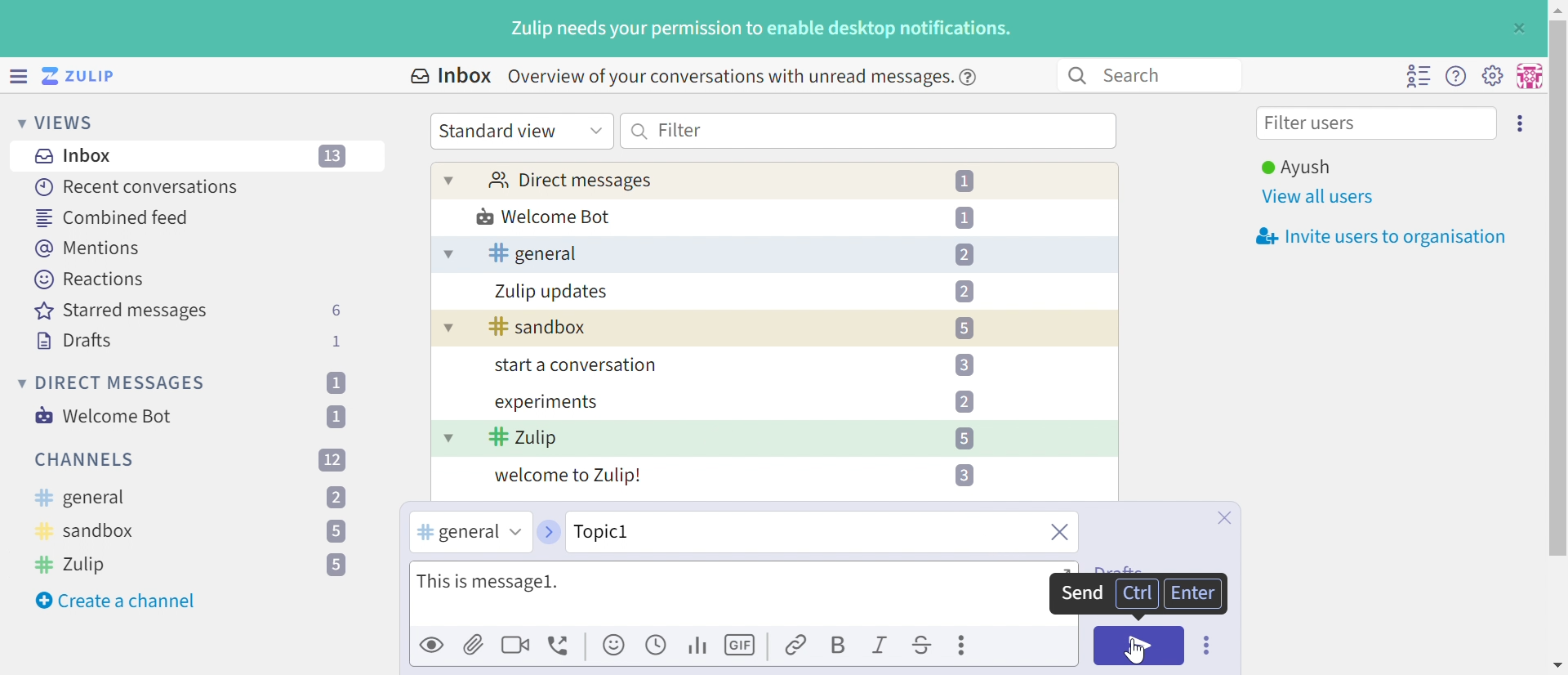 This screenshot has height=675, width=1568. I want to click on View all users, so click(1319, 198).